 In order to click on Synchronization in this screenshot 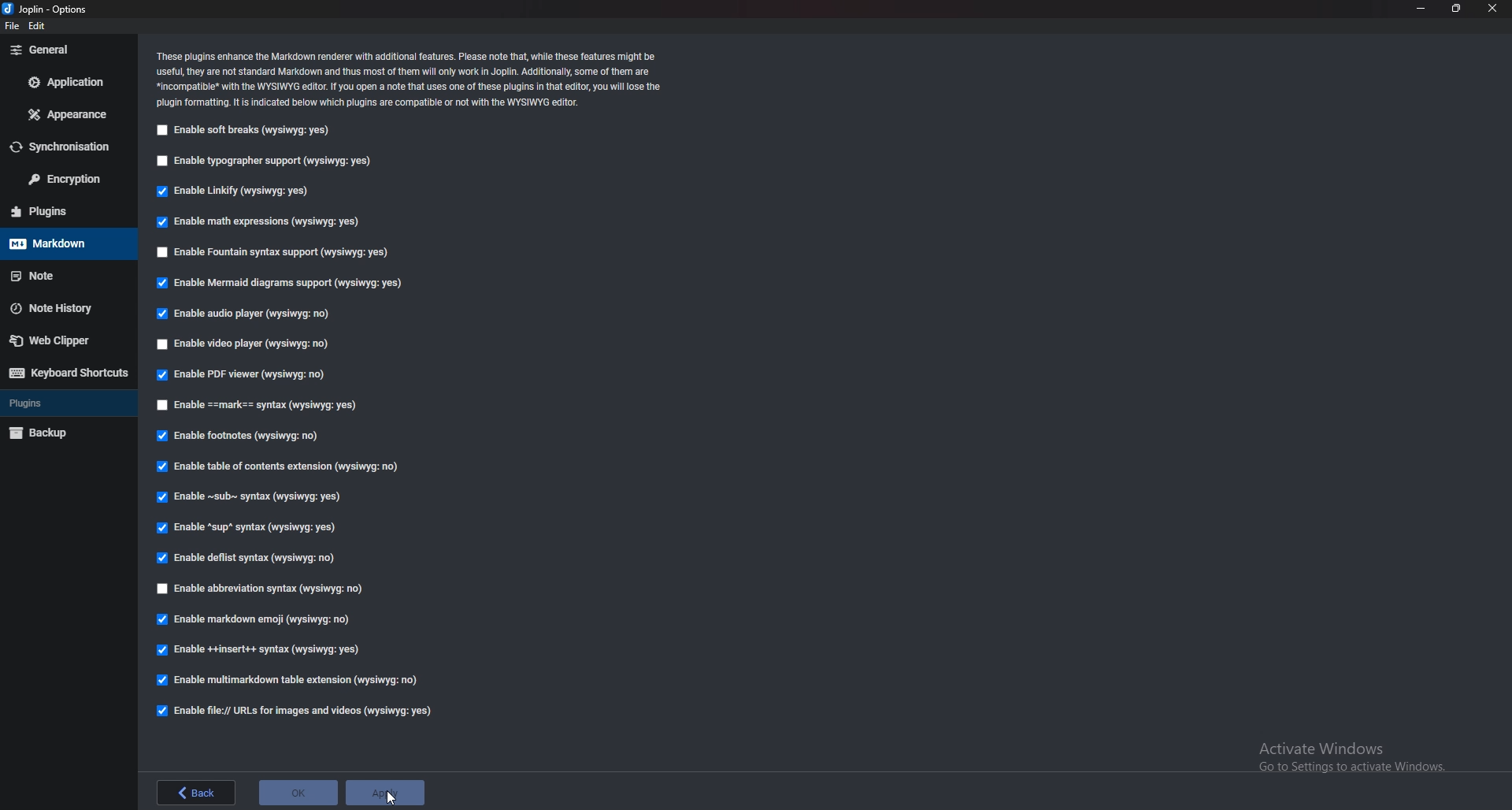, I will do `click(62, 147)`.